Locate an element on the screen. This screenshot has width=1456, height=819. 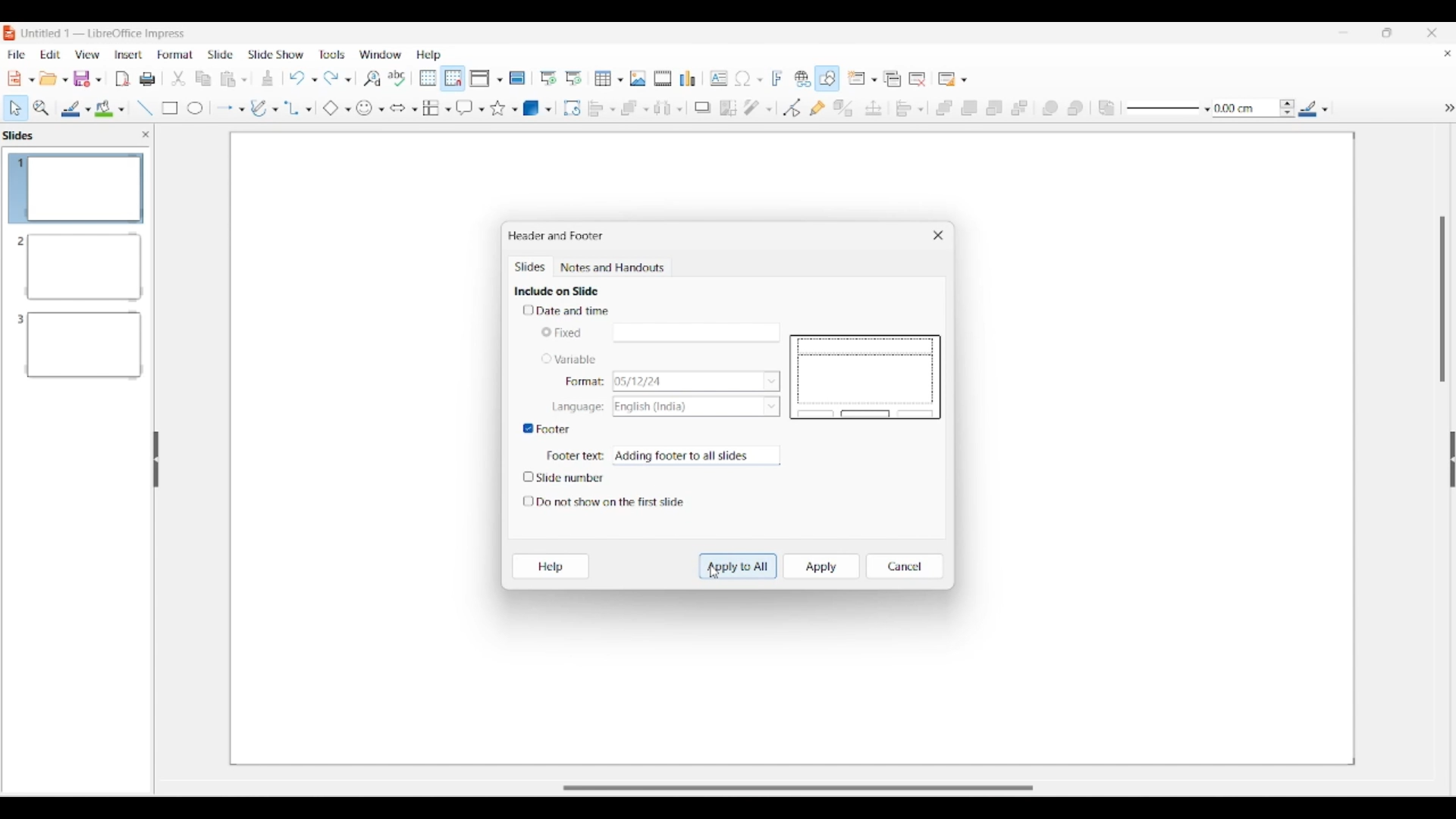
Download is located at coordinates (268, 78).